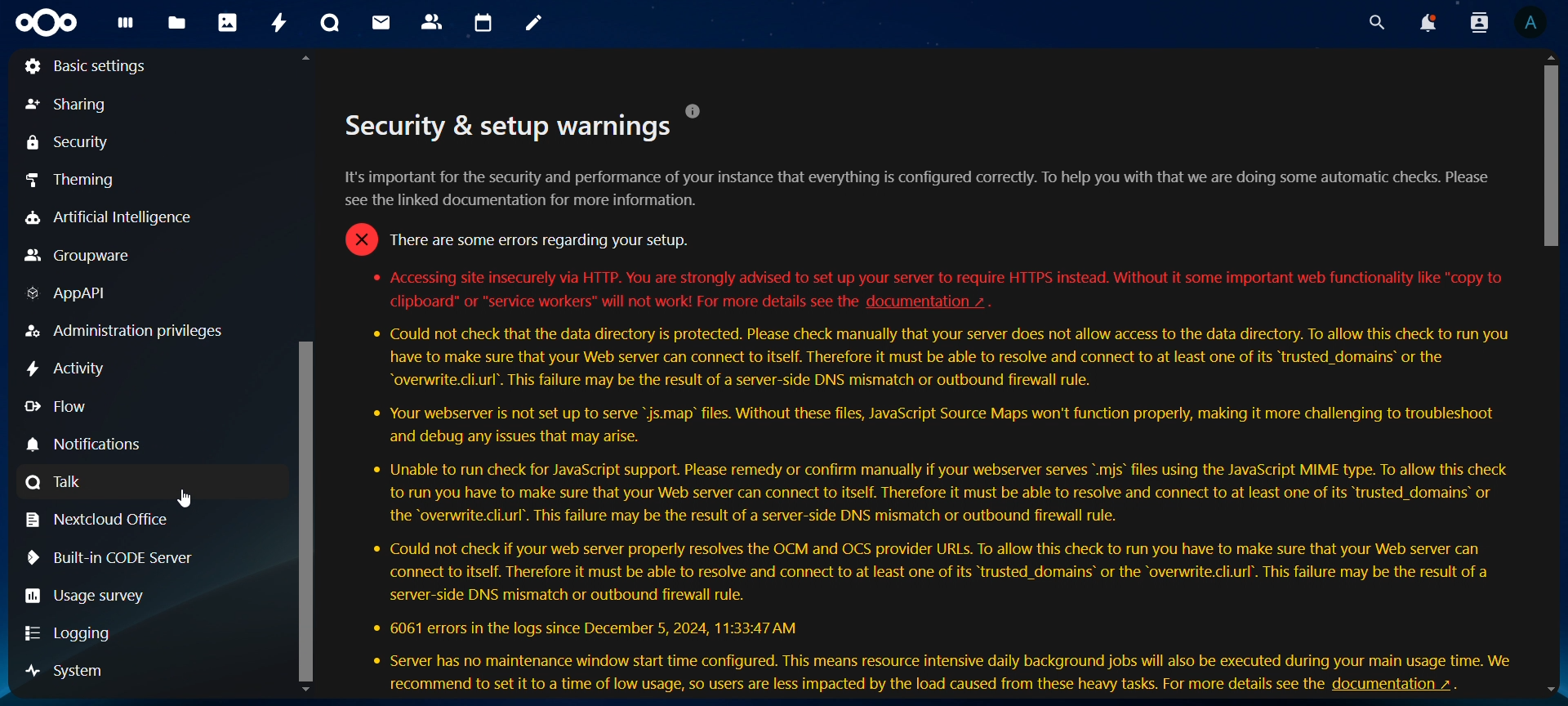 The image size is (1568, 706). I want to click on AppAPI, so click(68, 293).